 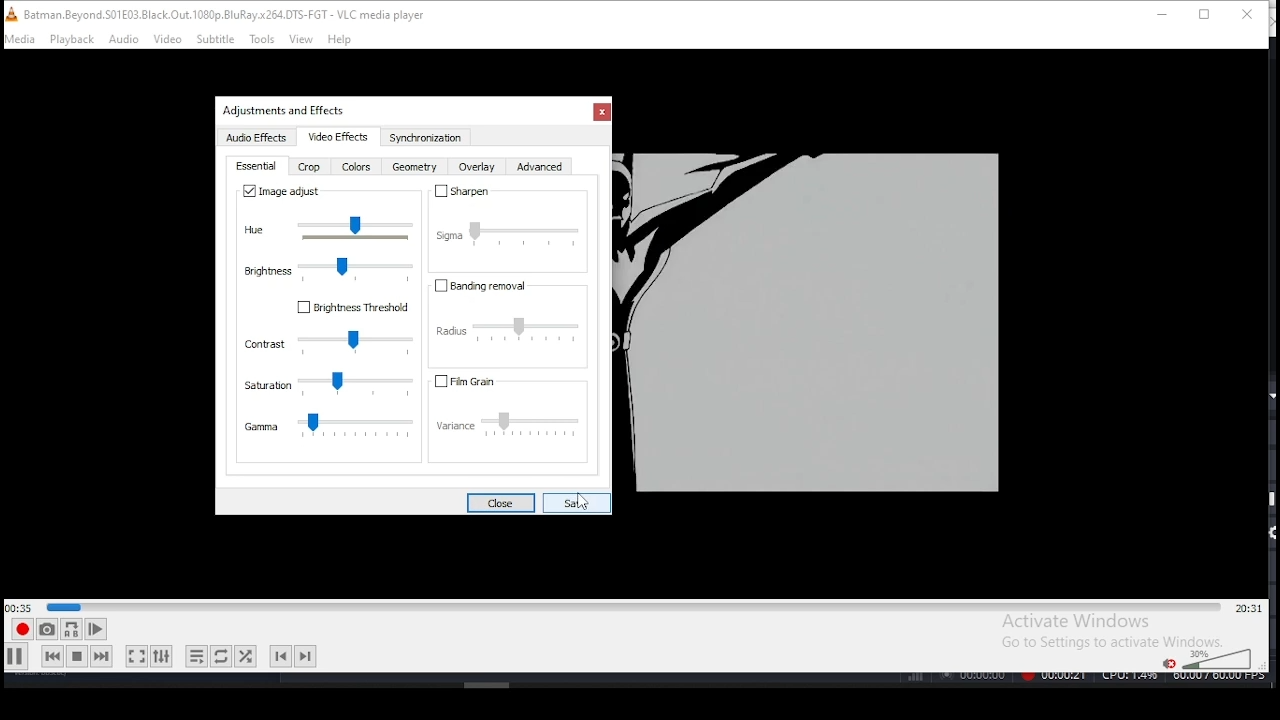 What do you see at coordinates (222, 13) in the screenshot?
I see `icon and filename` at bounding box center [222, 13].